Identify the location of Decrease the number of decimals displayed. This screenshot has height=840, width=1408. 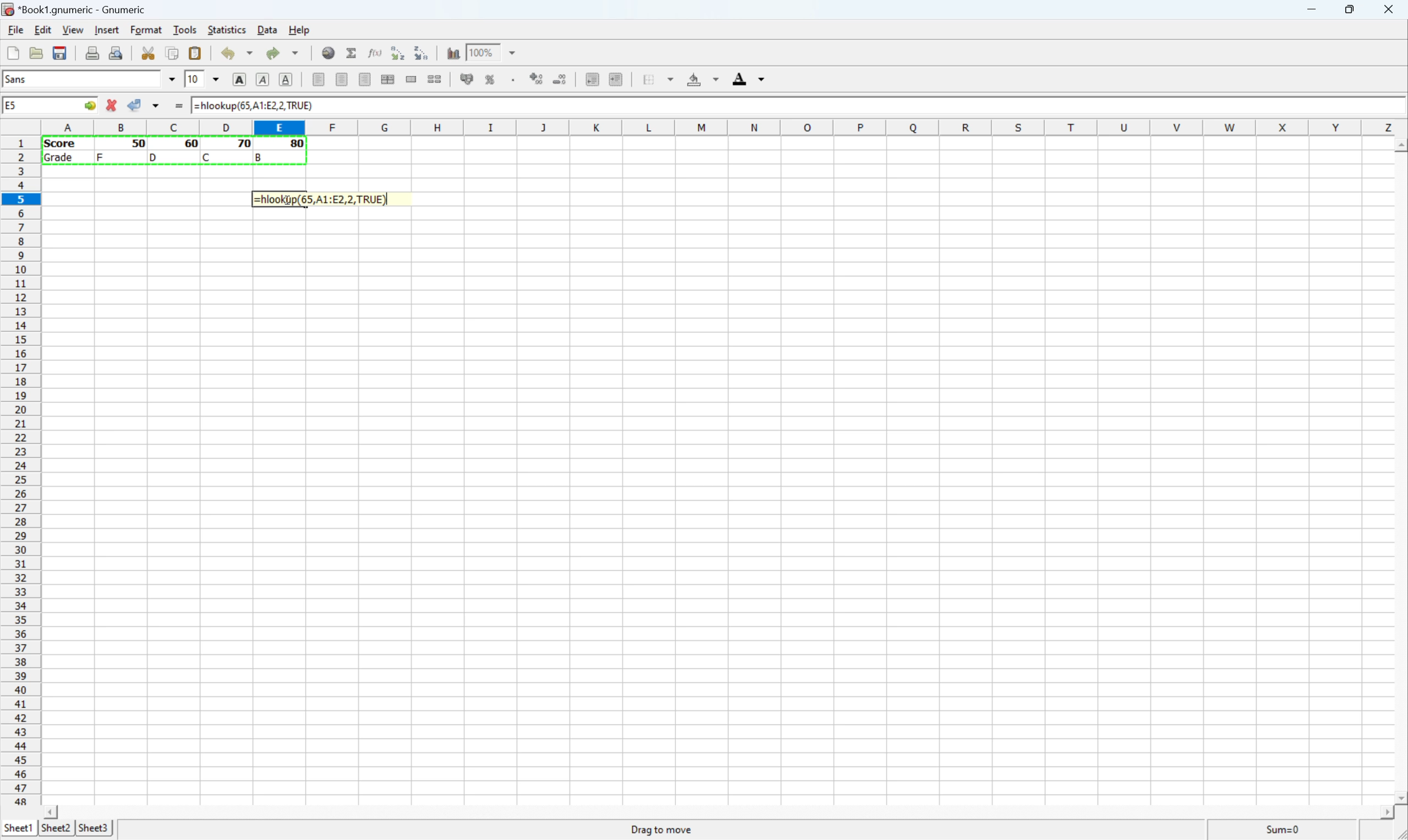
(560, 79).